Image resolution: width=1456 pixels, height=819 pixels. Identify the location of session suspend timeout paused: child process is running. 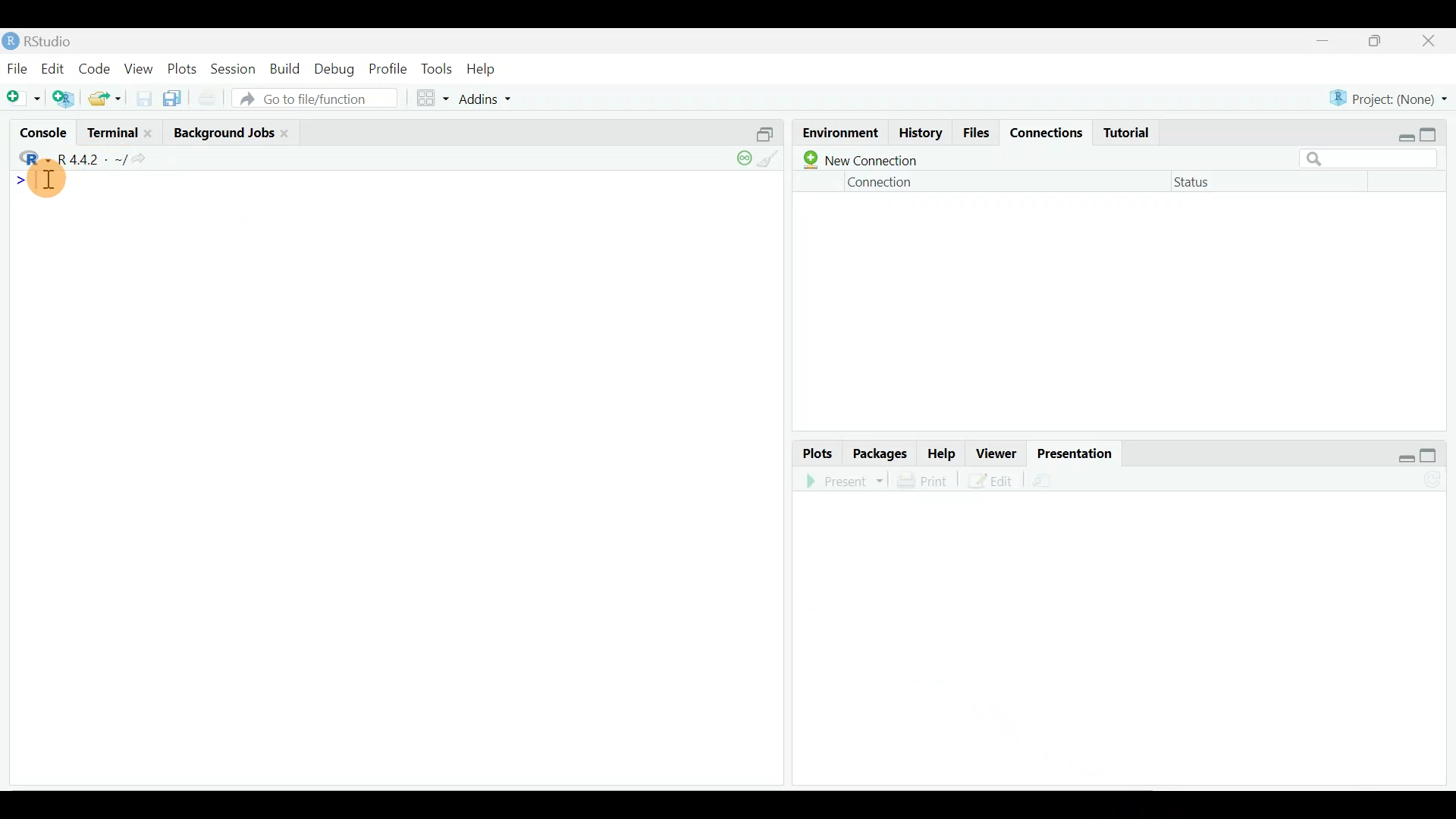
(740, 165).